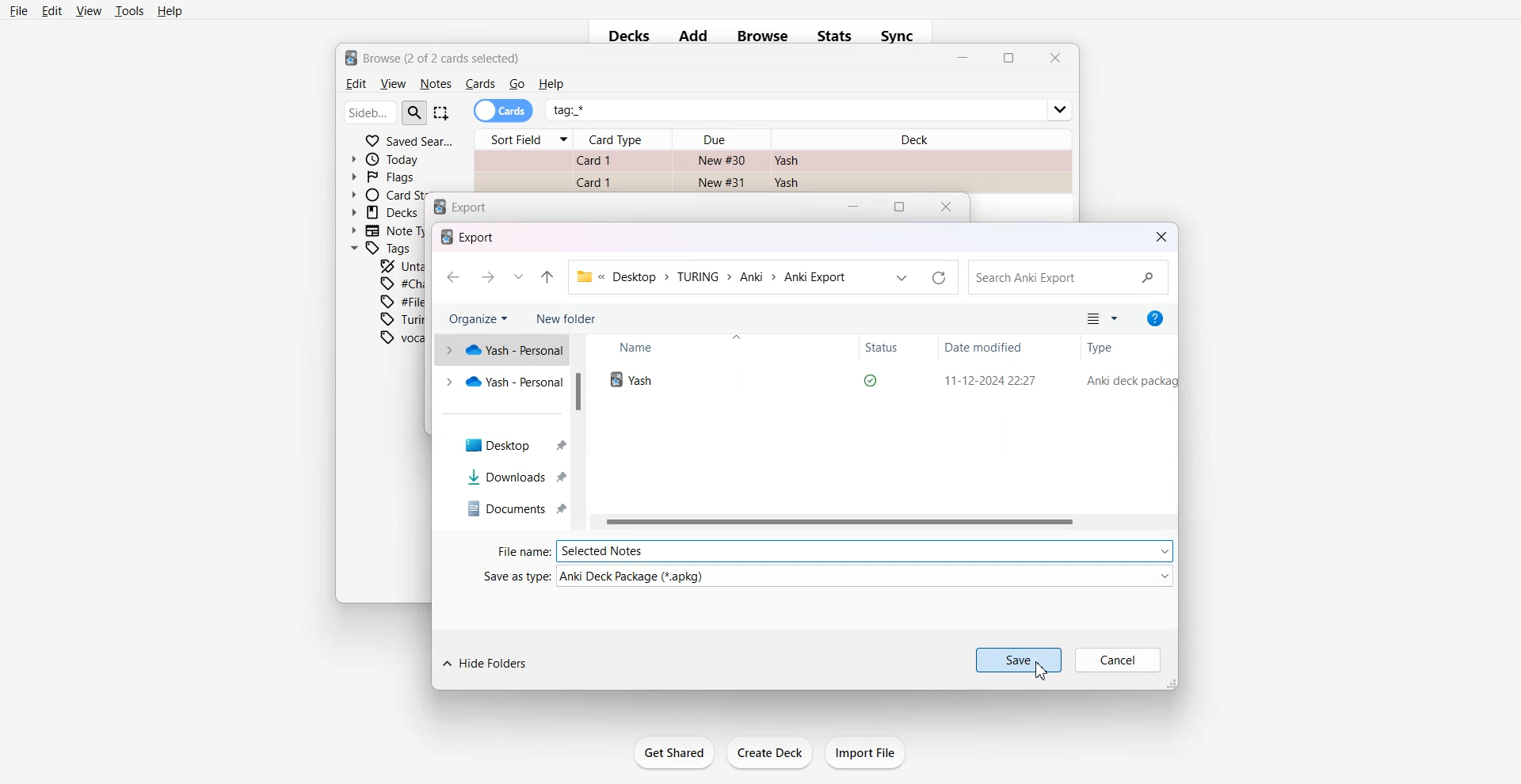 The height and width of the screenshot is (784, 1521). What do you see at coordinates (855, 206) in the screenshot?
I see `Minimize` at bounding box center [855, 206].